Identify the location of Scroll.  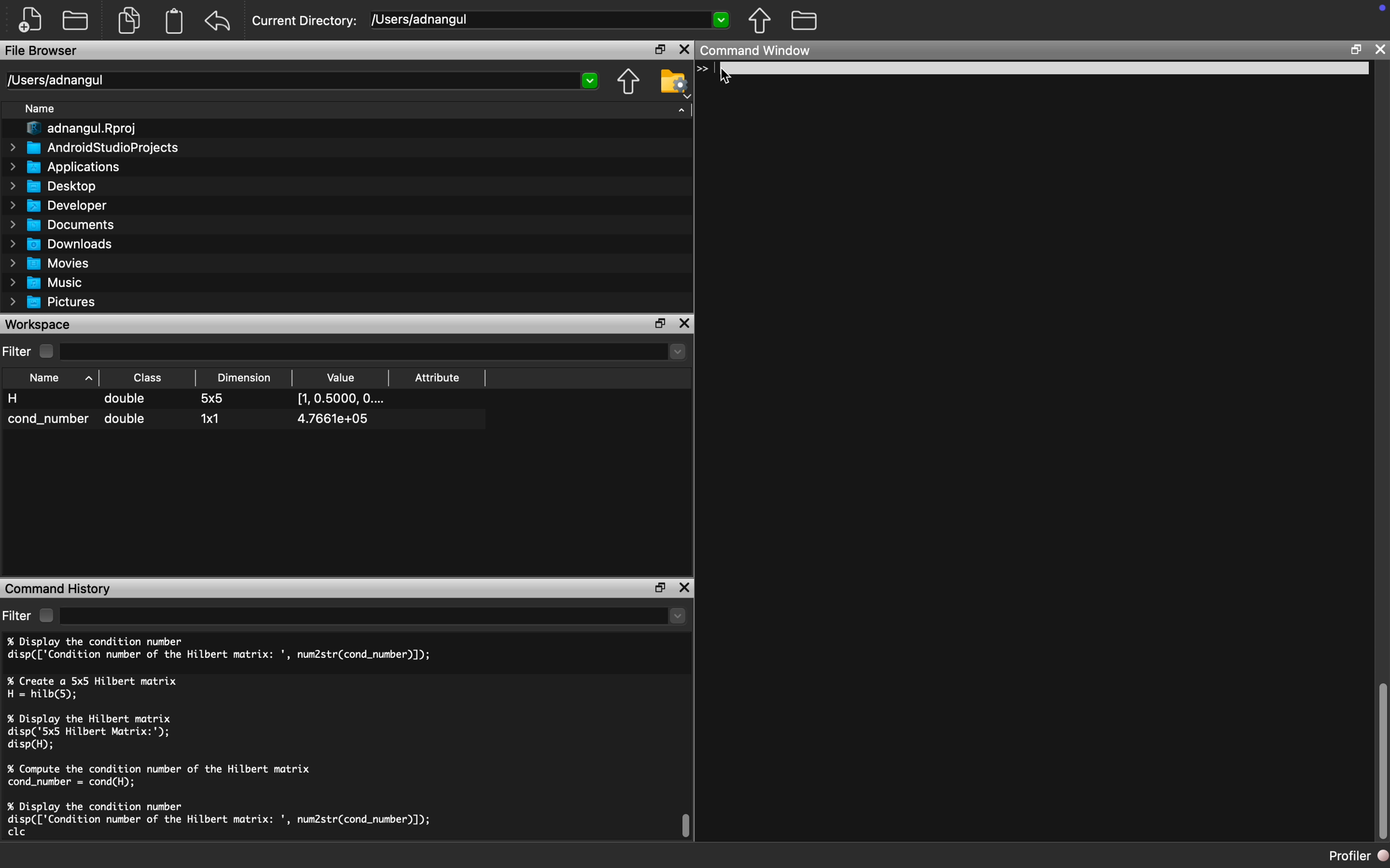
(1381, 761).